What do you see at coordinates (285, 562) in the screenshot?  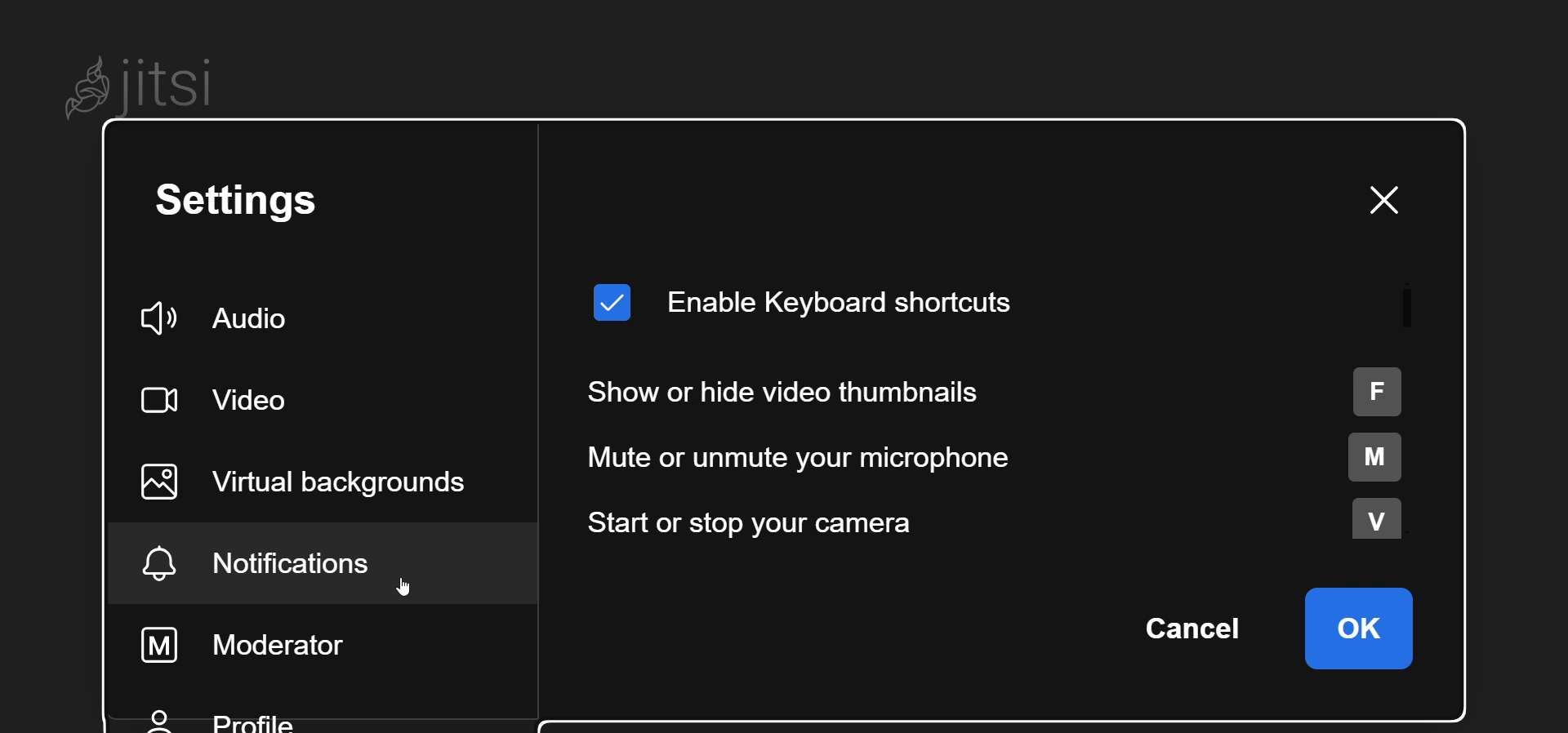 I see `notification` at bounding box center [285, 562].